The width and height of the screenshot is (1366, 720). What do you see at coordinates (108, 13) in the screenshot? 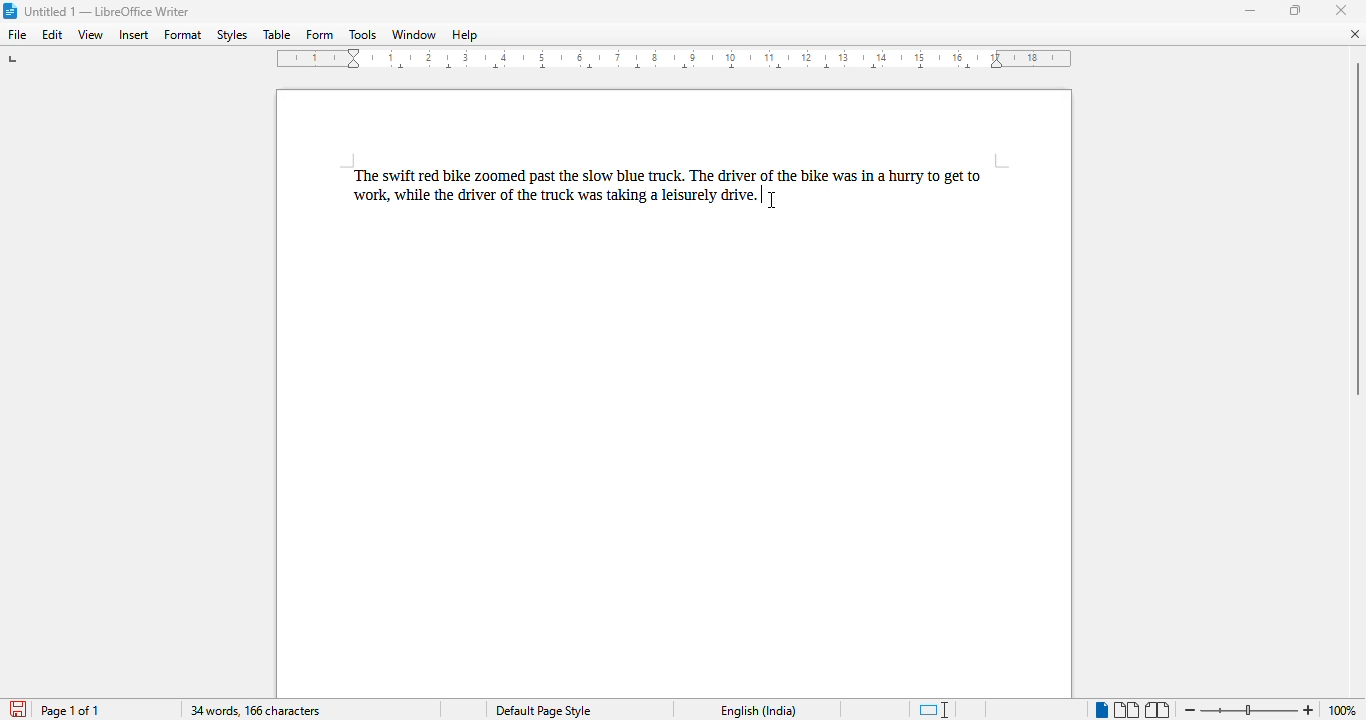
I see `Untitled 1 -- LibreOffice Writer` at bounding box center [108, 13].